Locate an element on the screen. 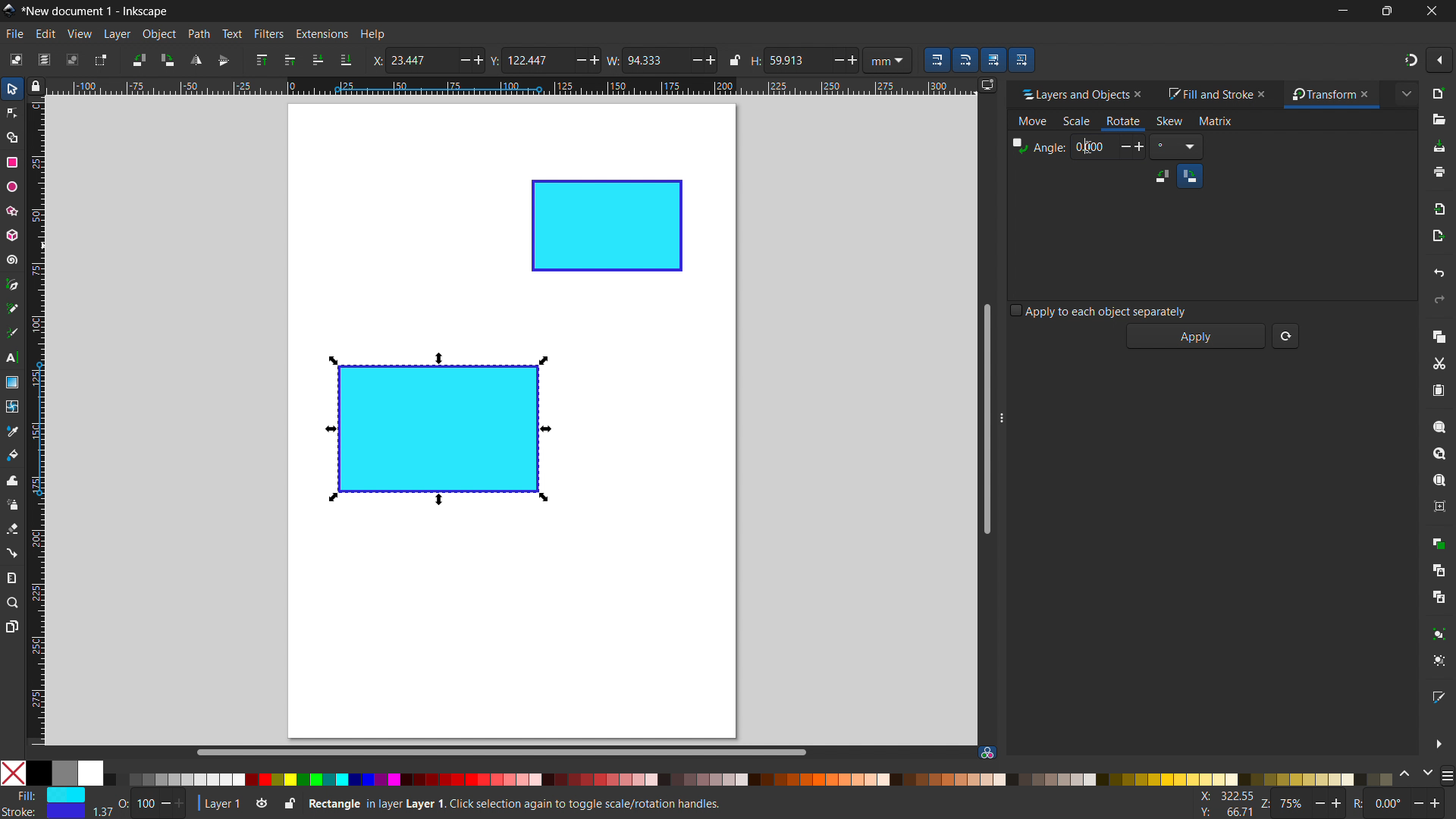  color managed is located at coordinates (987, 752).